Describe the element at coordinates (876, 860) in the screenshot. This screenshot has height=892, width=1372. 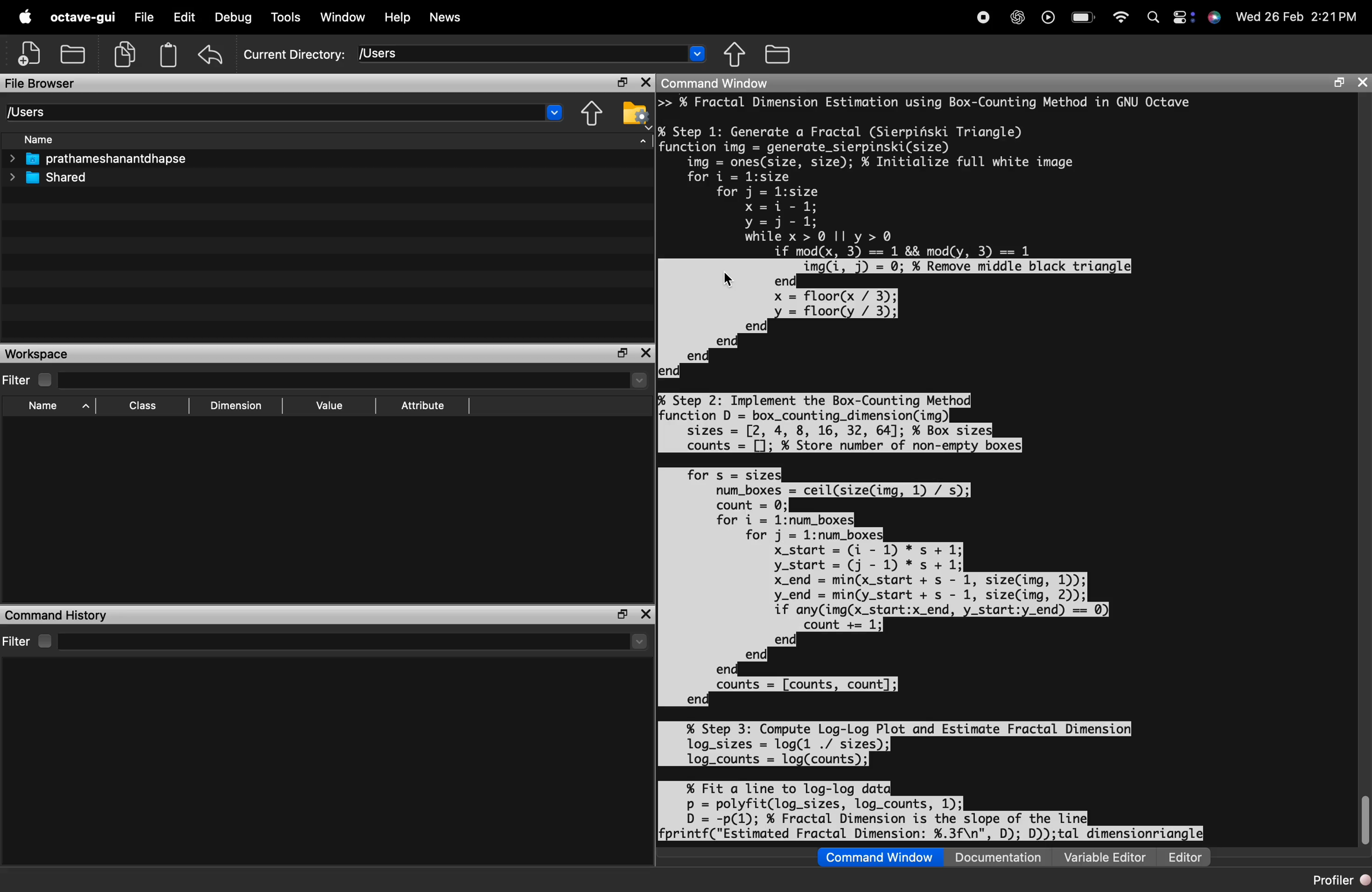
I see `Command Window` at that location.